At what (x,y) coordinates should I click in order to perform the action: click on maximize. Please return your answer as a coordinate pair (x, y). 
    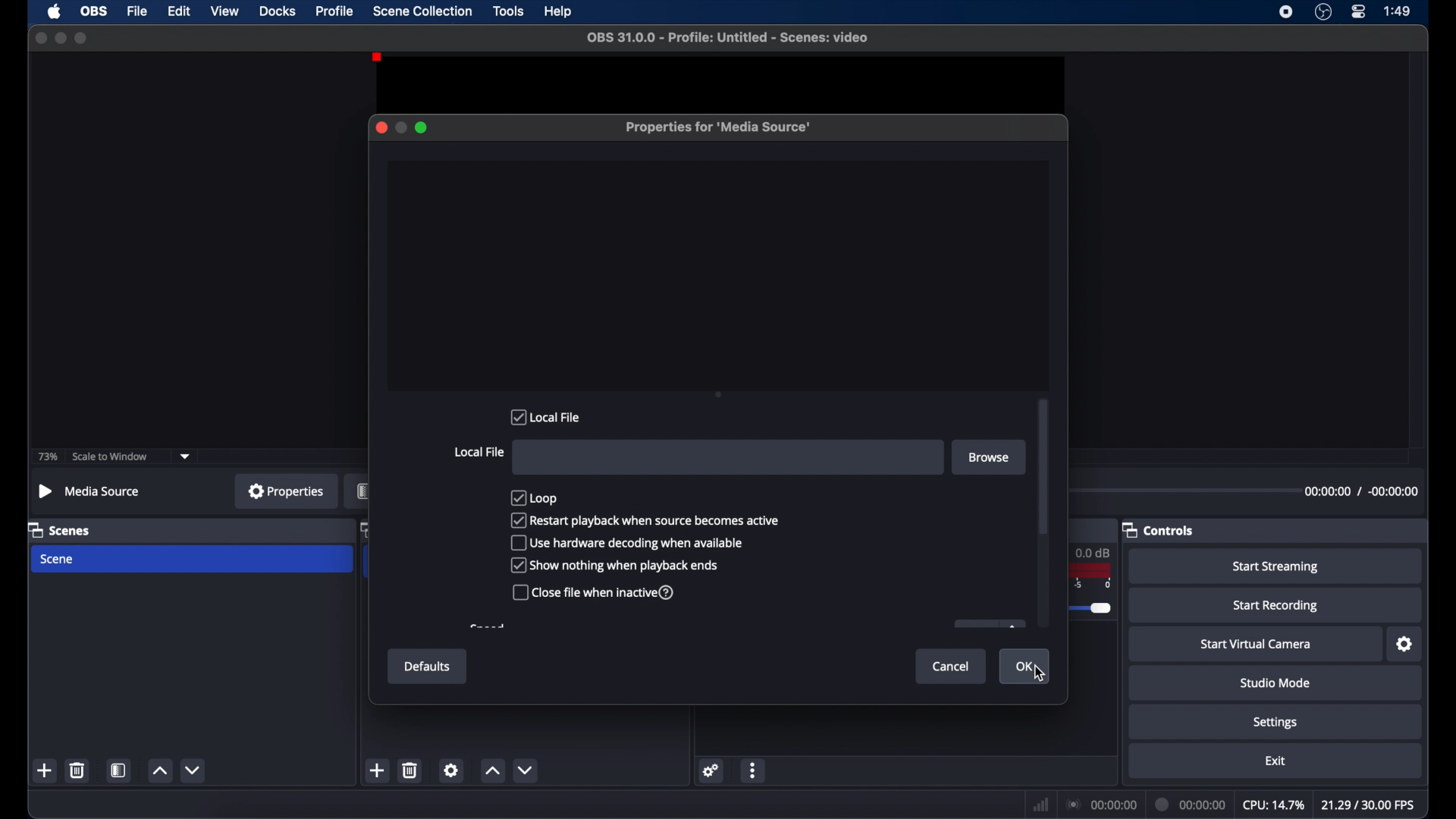
    Looking at the image, I should click on (83, 38).